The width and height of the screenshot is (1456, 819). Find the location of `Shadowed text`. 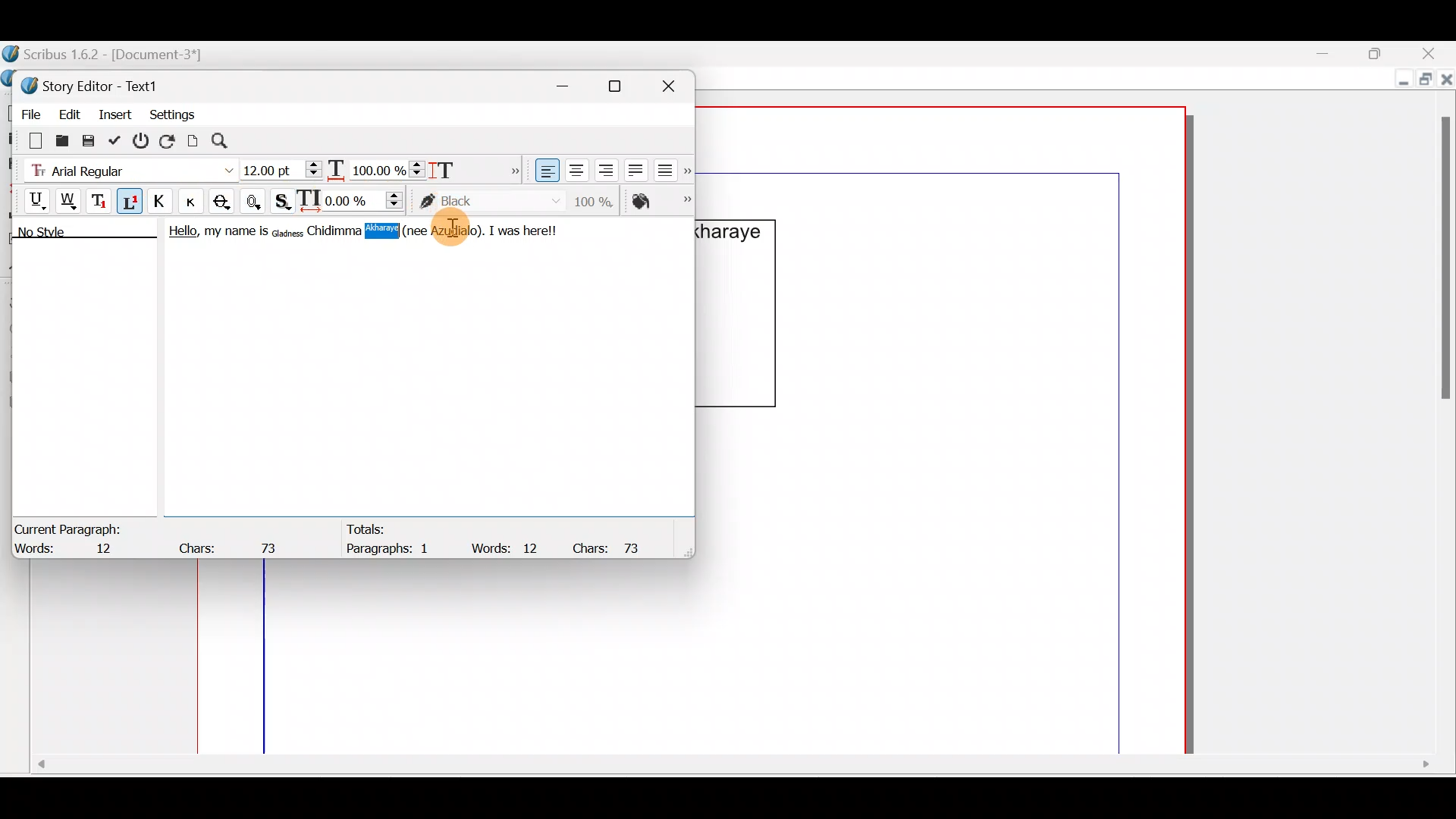

Shadowed text is located at coordinates (284, 199).